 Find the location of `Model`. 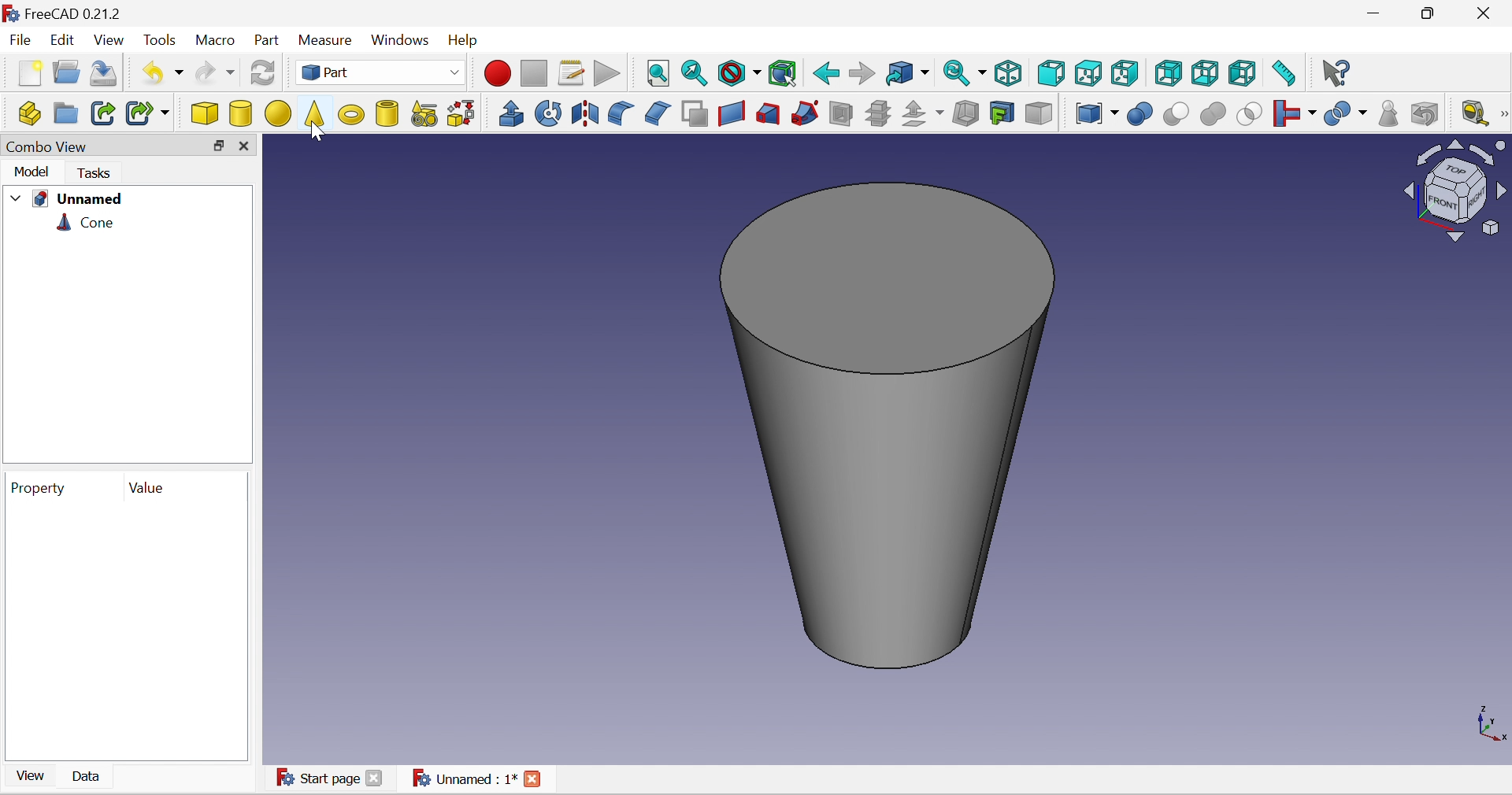

Model is located at coordinates (33, 173).